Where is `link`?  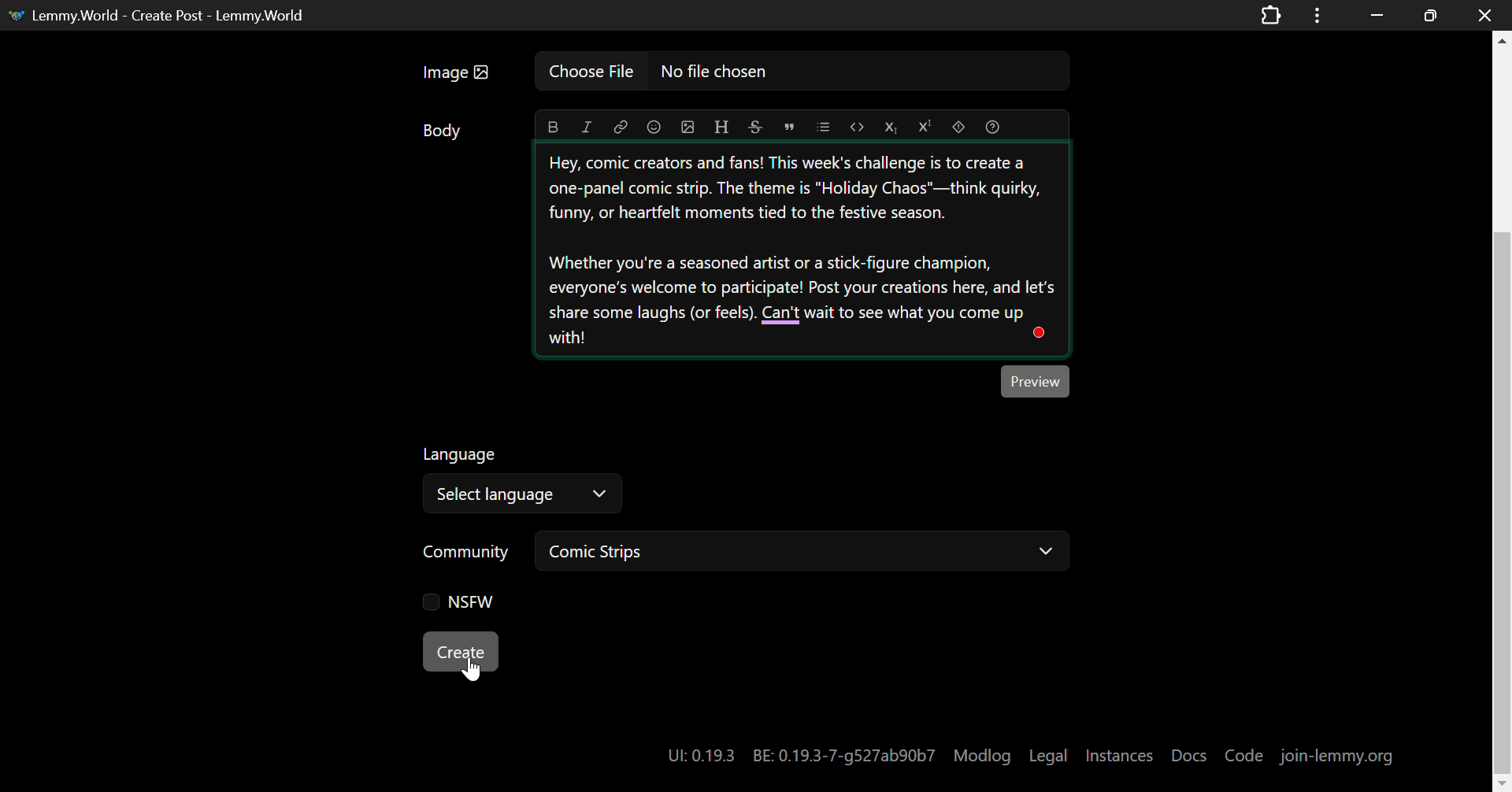
link is located at coordinates (621, 128).